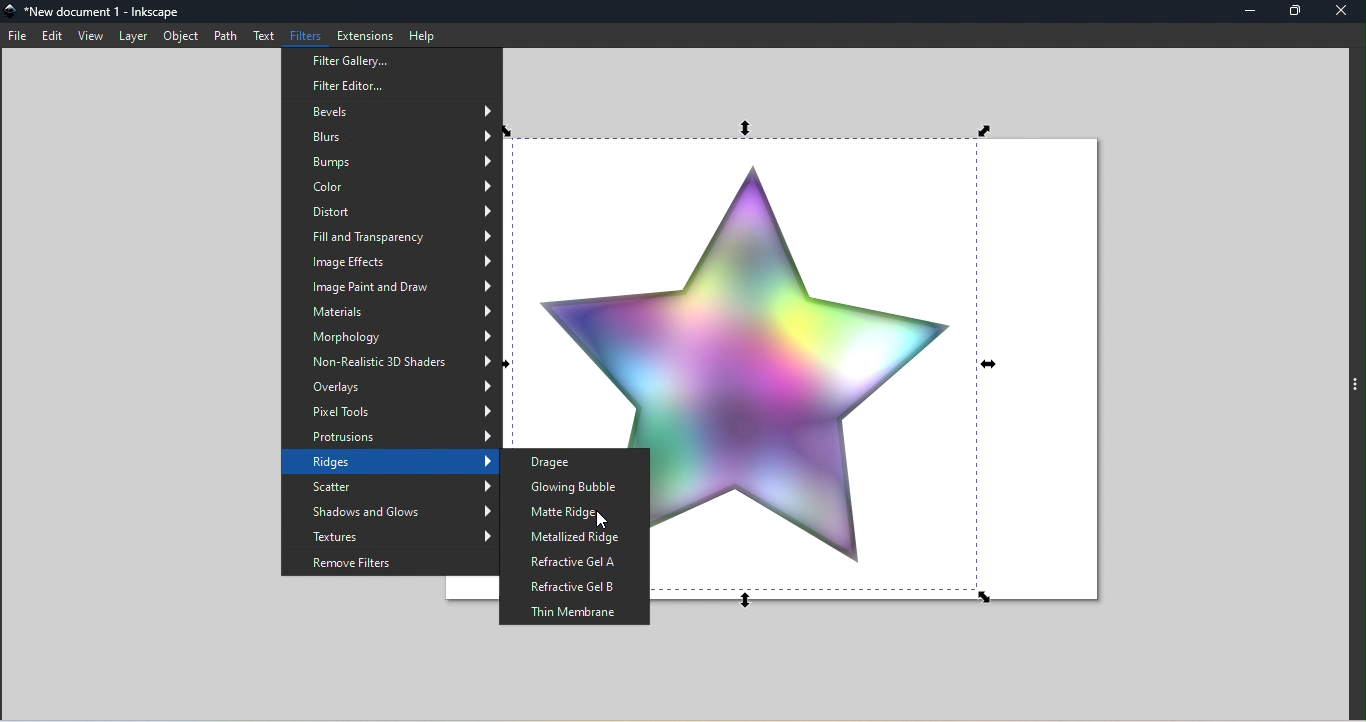 The width and height of the screenshot is (1366, 722). Describe the element at coordinates (577, 562) in the screenshot. I see `Refractive Gel A` at that location.